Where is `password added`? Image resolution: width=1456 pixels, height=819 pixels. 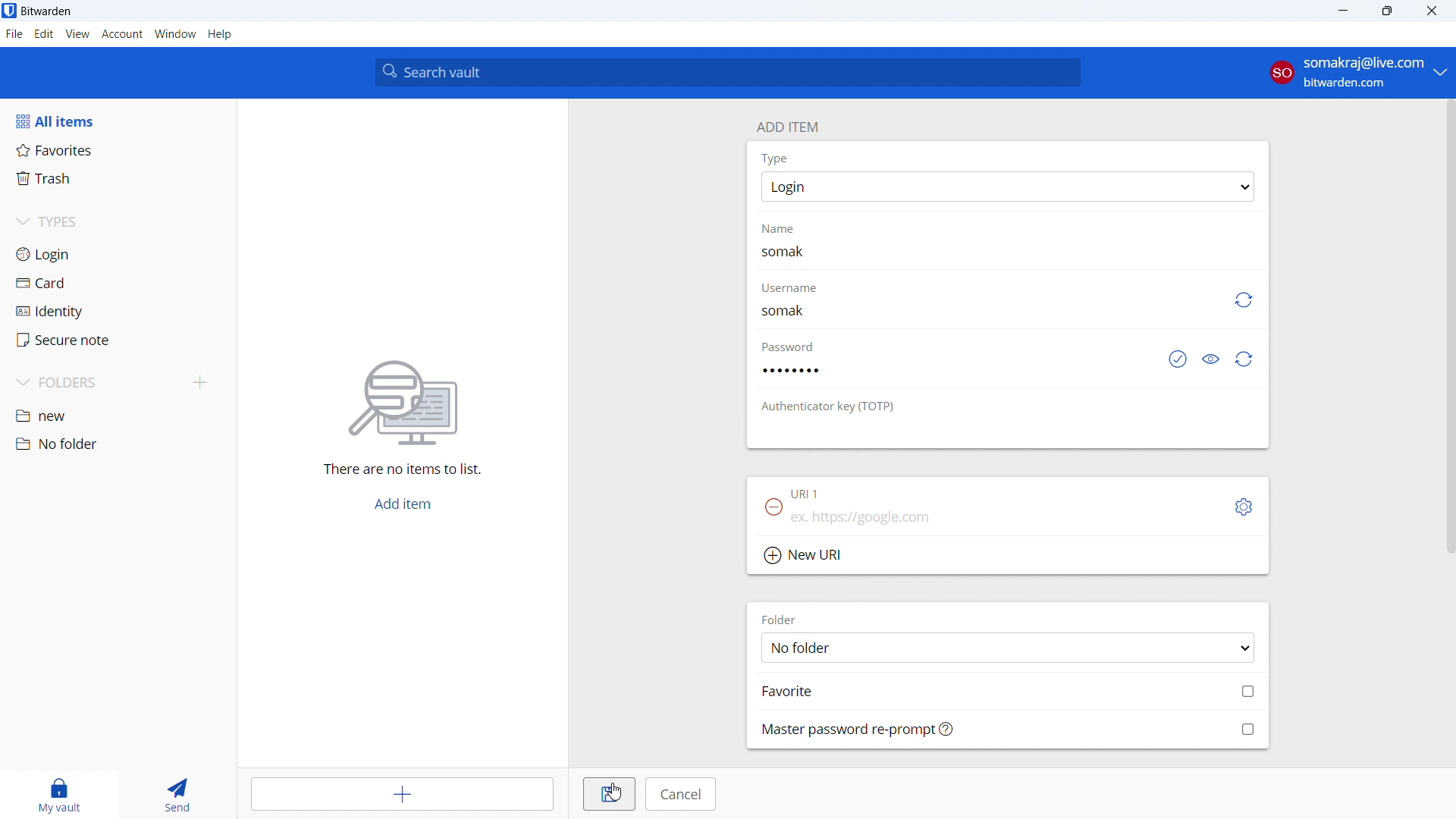
password added is located at coordinates (791, 370).